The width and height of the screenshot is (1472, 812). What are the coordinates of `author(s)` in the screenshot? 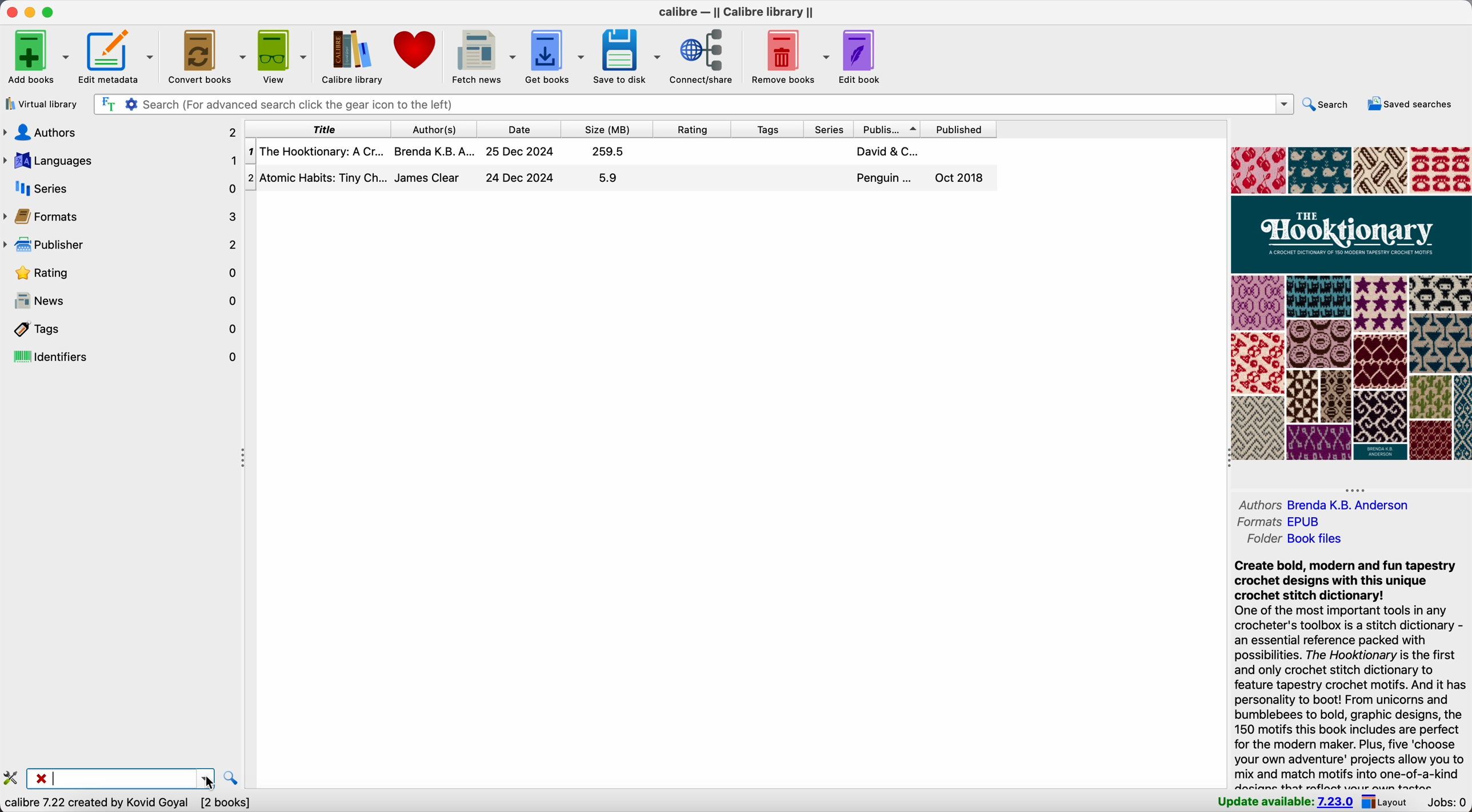 It's located at (438, 129).